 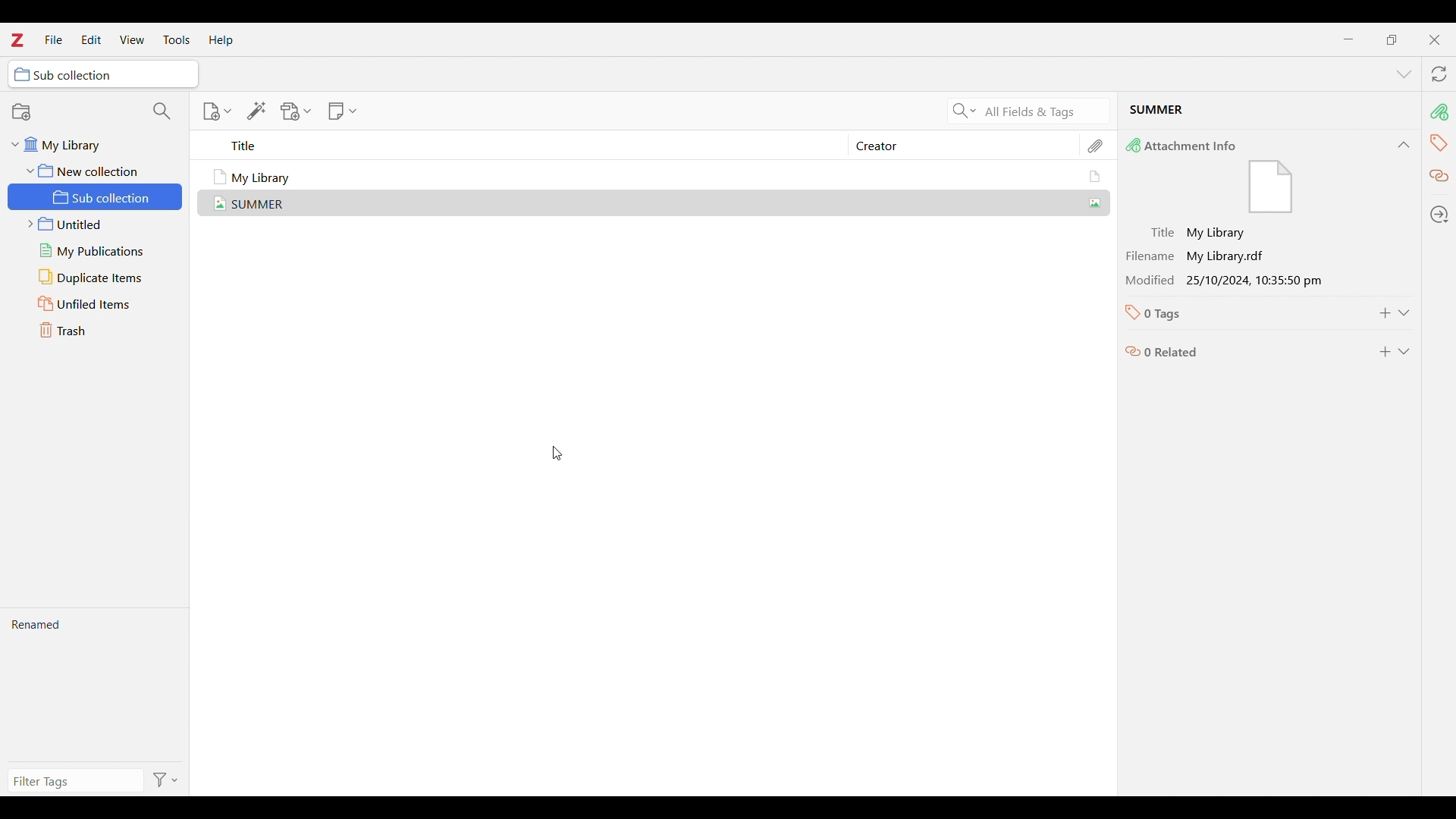 I want to click on Close , so click(x=1435, y=40).